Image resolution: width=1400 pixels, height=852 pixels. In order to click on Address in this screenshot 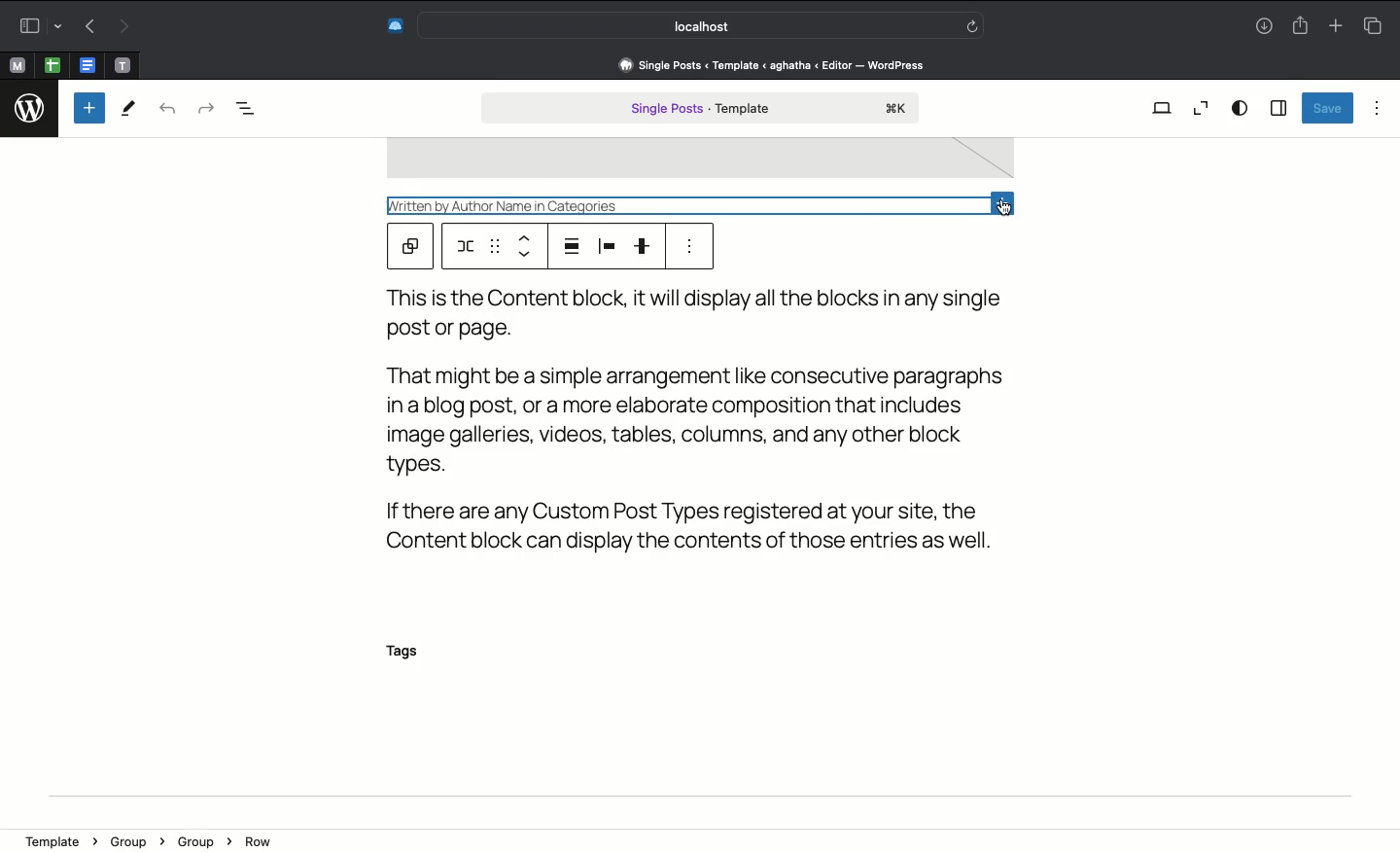, I will do `click(769, 64)`.